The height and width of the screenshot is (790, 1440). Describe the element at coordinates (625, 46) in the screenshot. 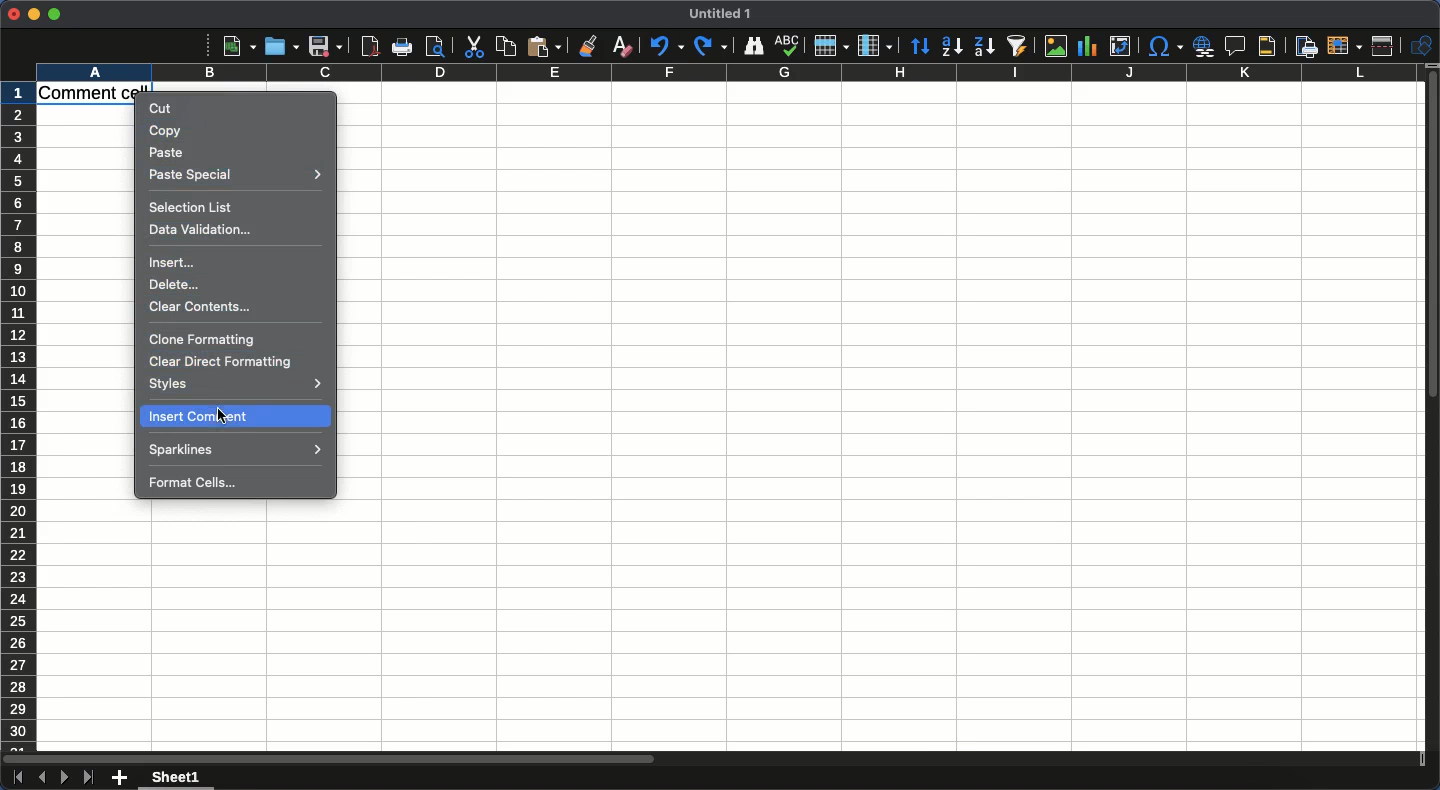

I see `Clear formatting` at that location.